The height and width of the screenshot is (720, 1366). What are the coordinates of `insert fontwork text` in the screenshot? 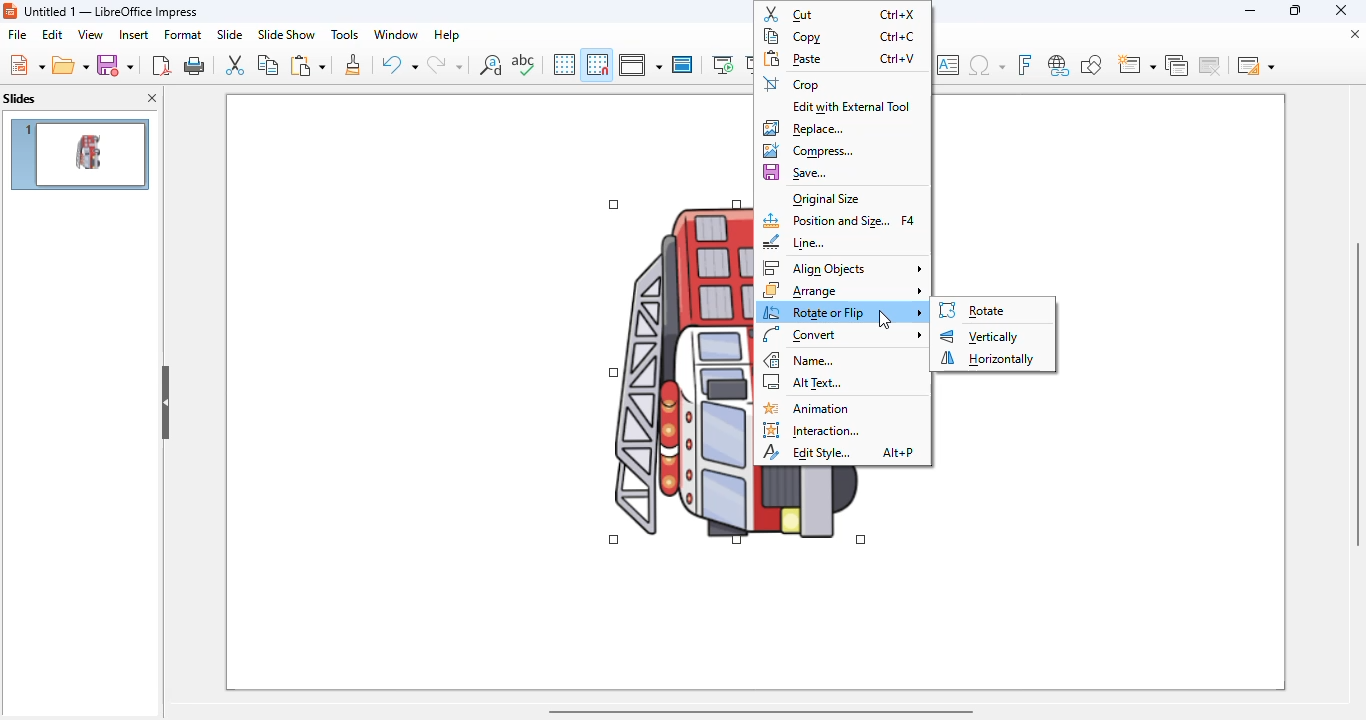 It's located at (1026, 64).